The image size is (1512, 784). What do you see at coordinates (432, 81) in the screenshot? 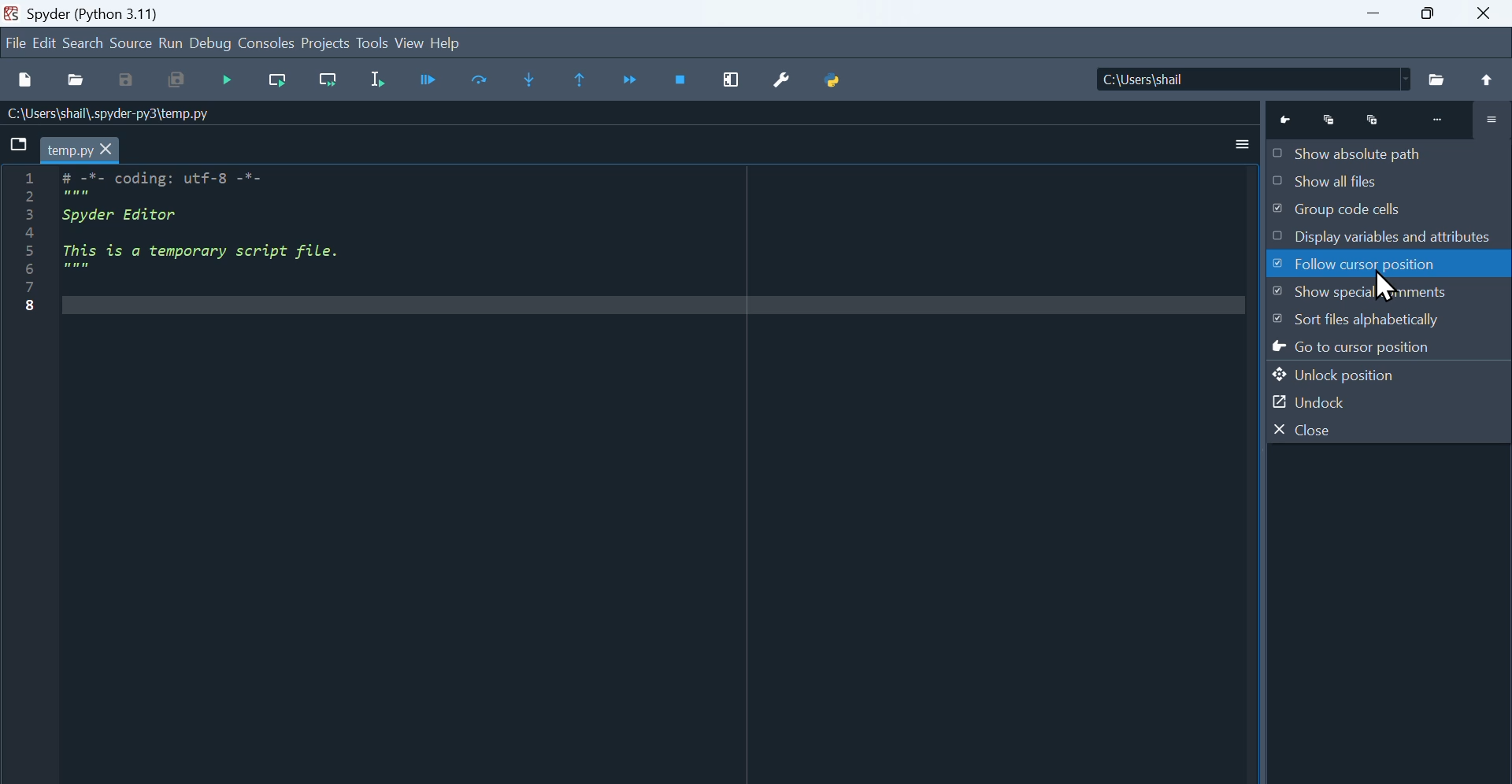
I see `Run cell` at bounding box center [432, 81].